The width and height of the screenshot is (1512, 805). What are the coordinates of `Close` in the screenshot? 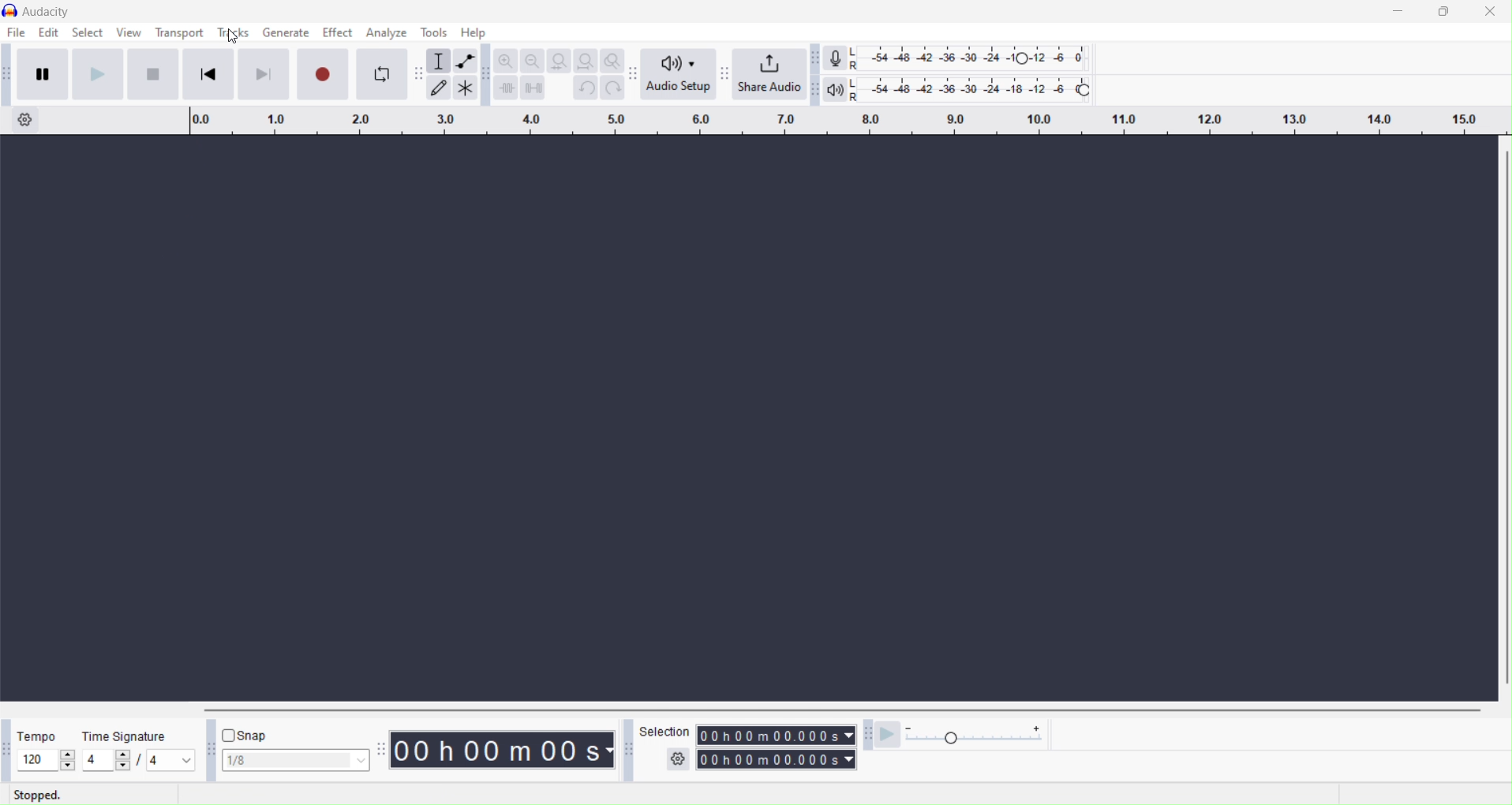 It's located at (1493, 12).